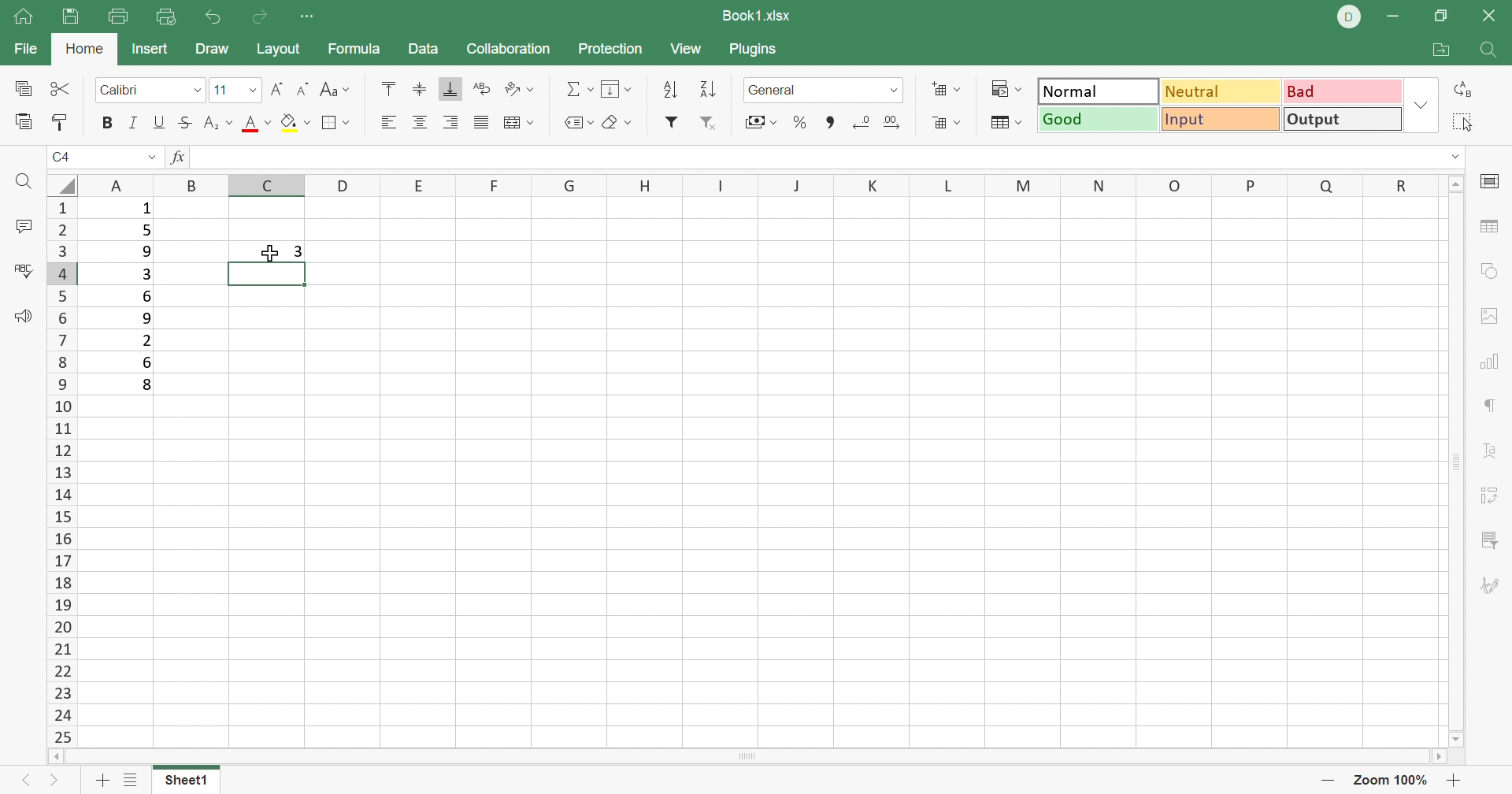  Describe the element at coordinates (300, 250) in the screenshot. I see `3` at that location.